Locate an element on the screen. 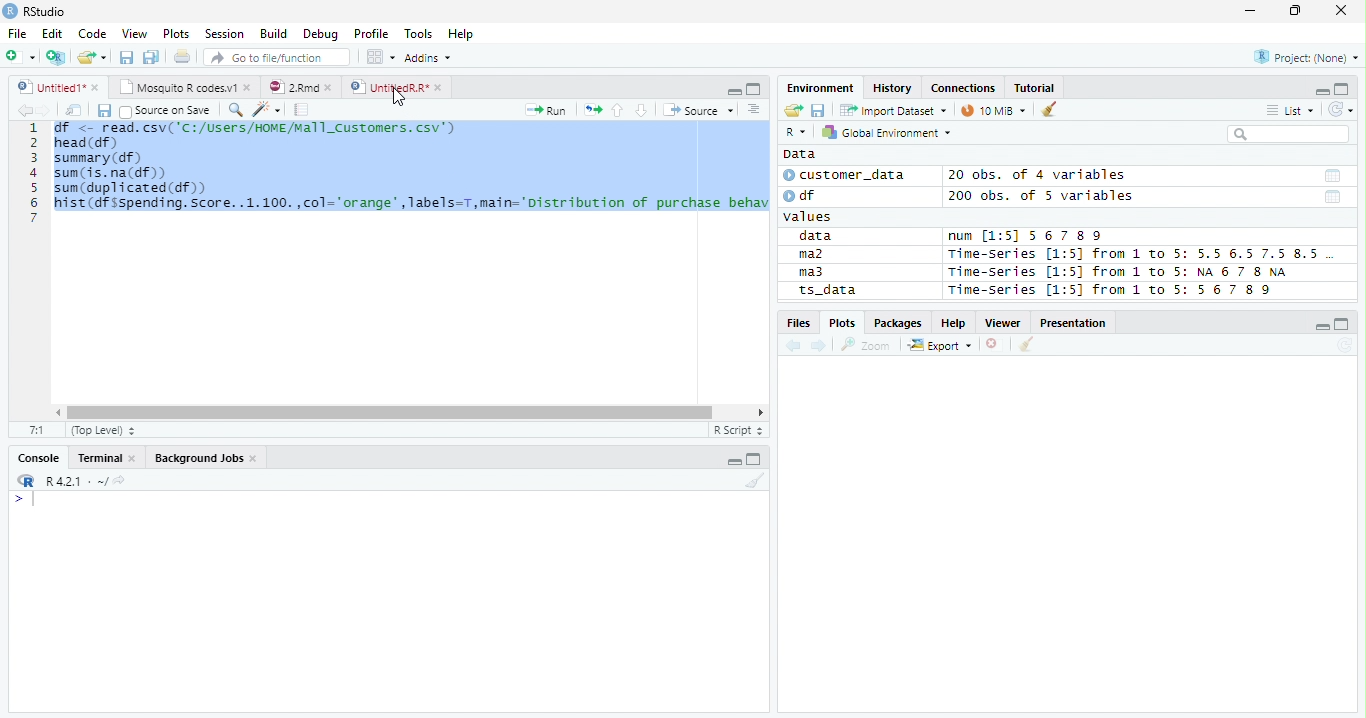  Console is located at coordinates (39, 456).